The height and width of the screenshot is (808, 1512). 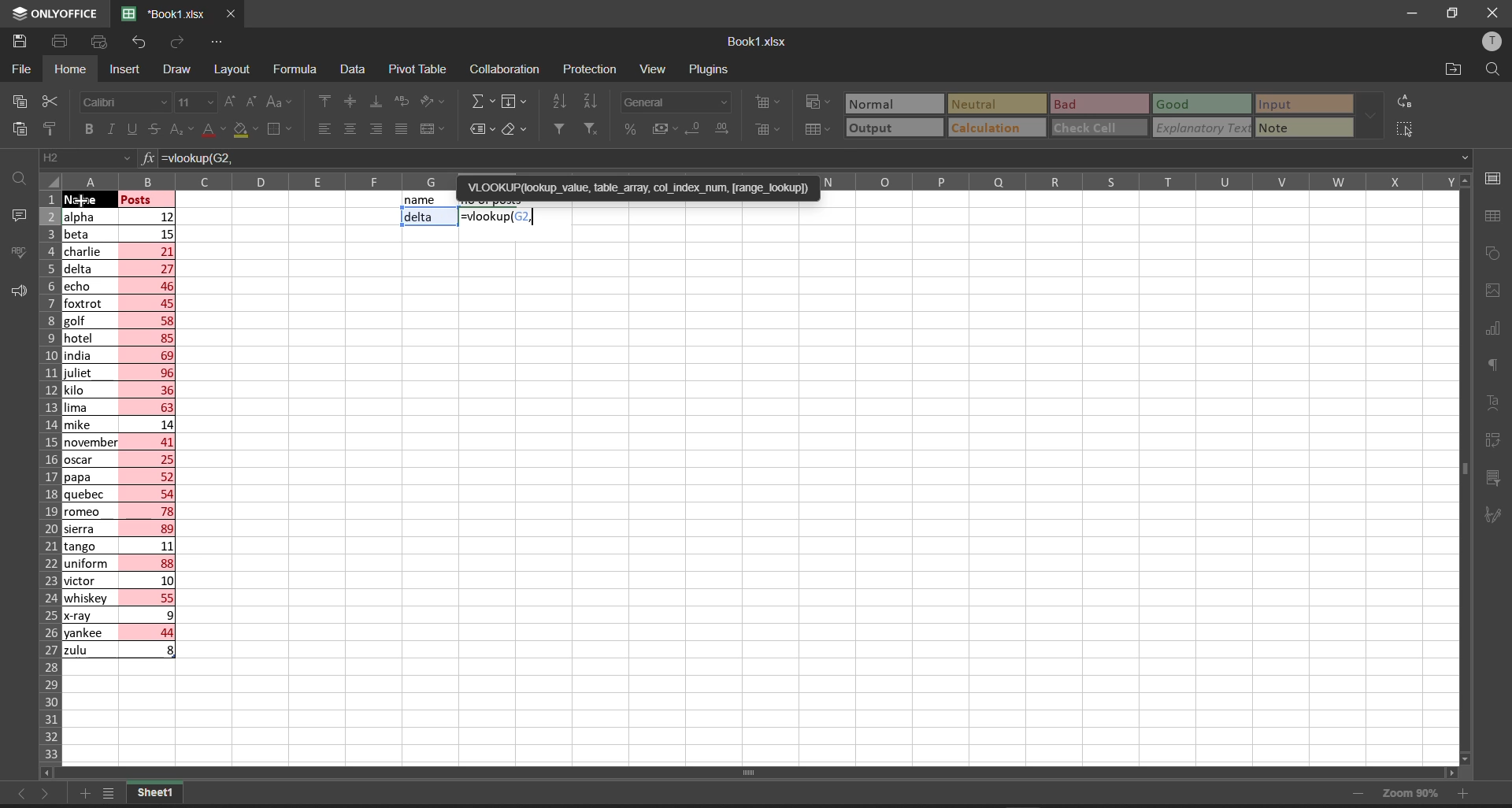 I want to click on zoom in, so click(x=1466, y=795).